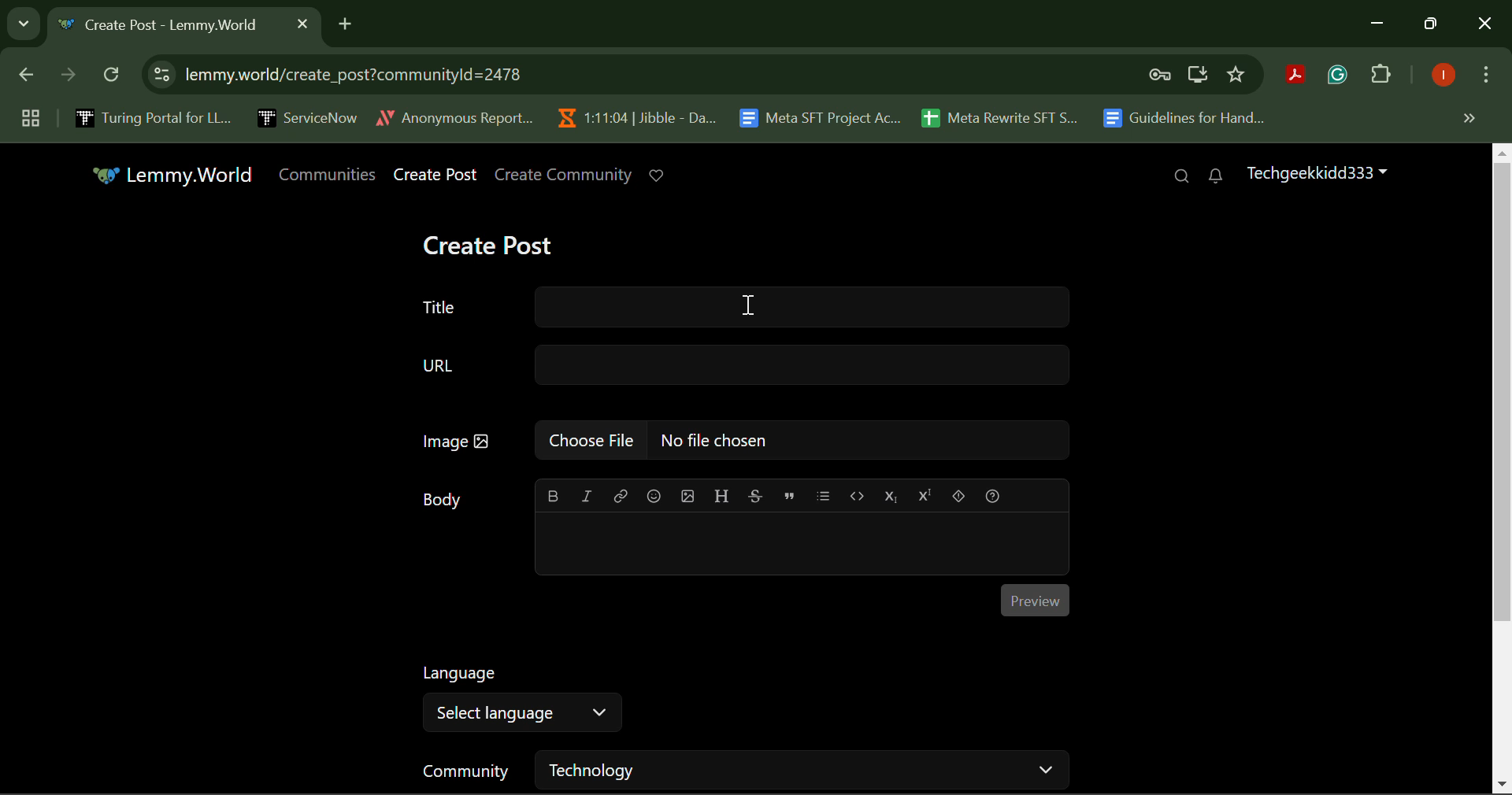 Image resolution: width=1512 pixels, height=795 pixels. What do you see at coordinates (688, 495) in the screenshot?
I see `upload image` at bounding box center [688, 495].